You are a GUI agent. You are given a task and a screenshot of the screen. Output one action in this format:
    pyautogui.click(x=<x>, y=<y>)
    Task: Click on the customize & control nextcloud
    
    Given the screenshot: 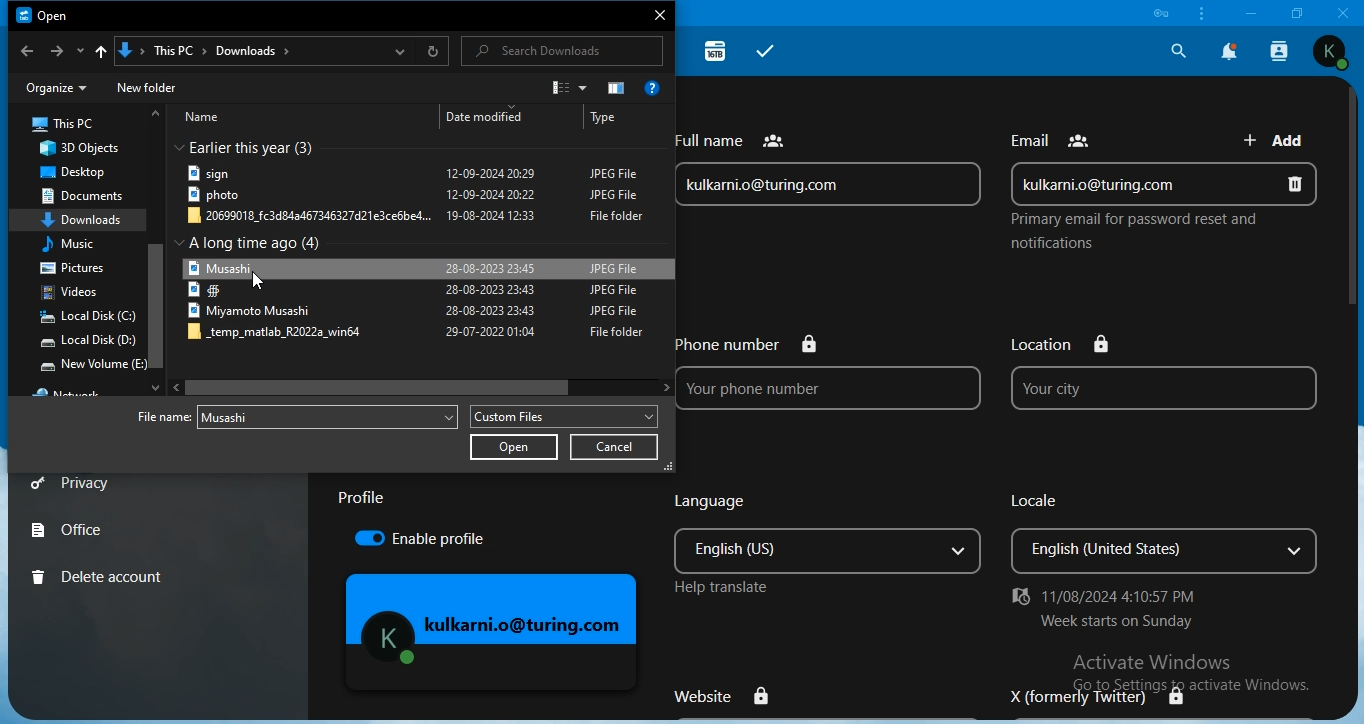 What is the action you would take?
    pyautogui.click(x=1199, y=14)
    